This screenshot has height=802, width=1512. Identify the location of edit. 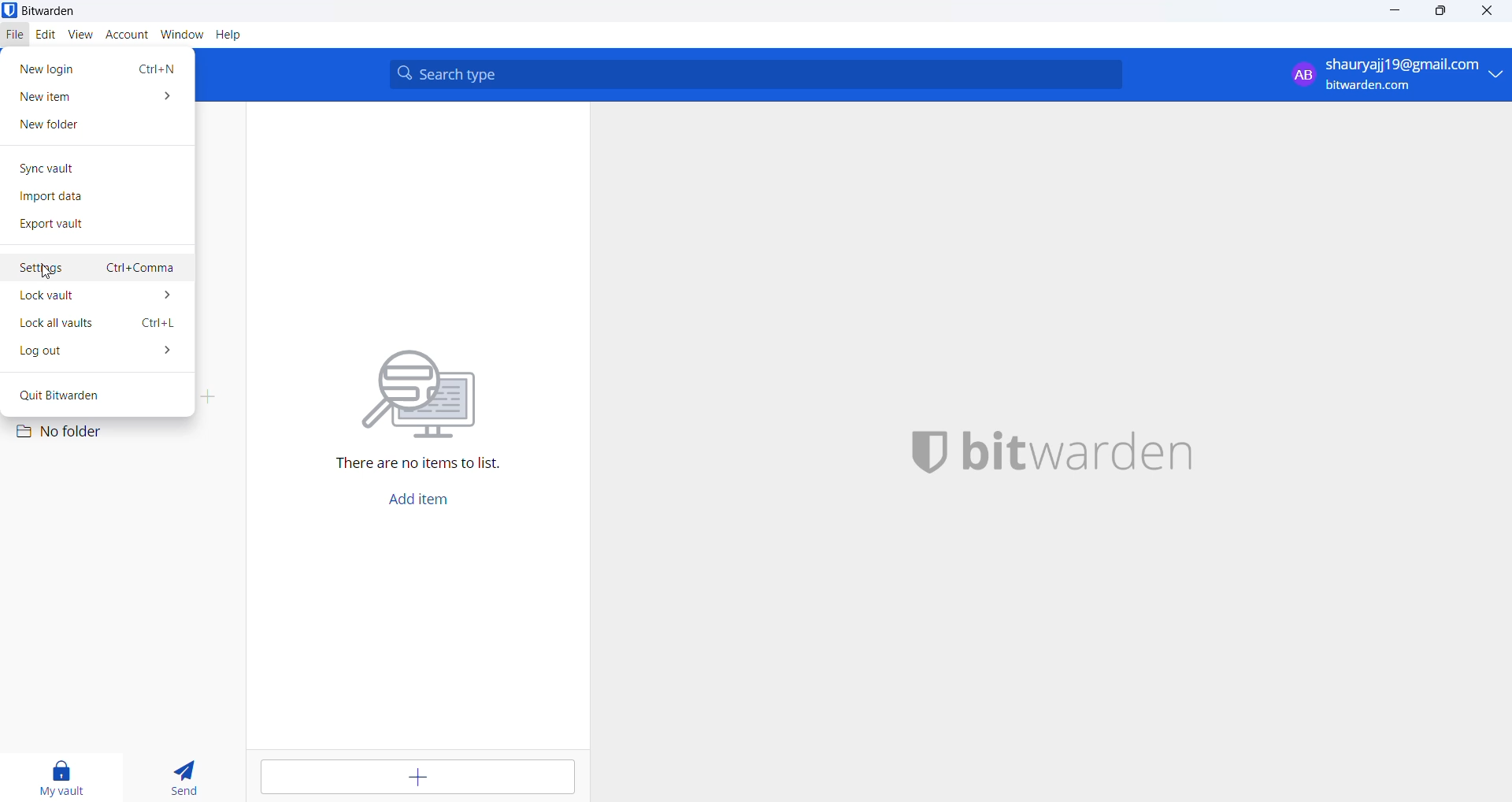
(44, 35).